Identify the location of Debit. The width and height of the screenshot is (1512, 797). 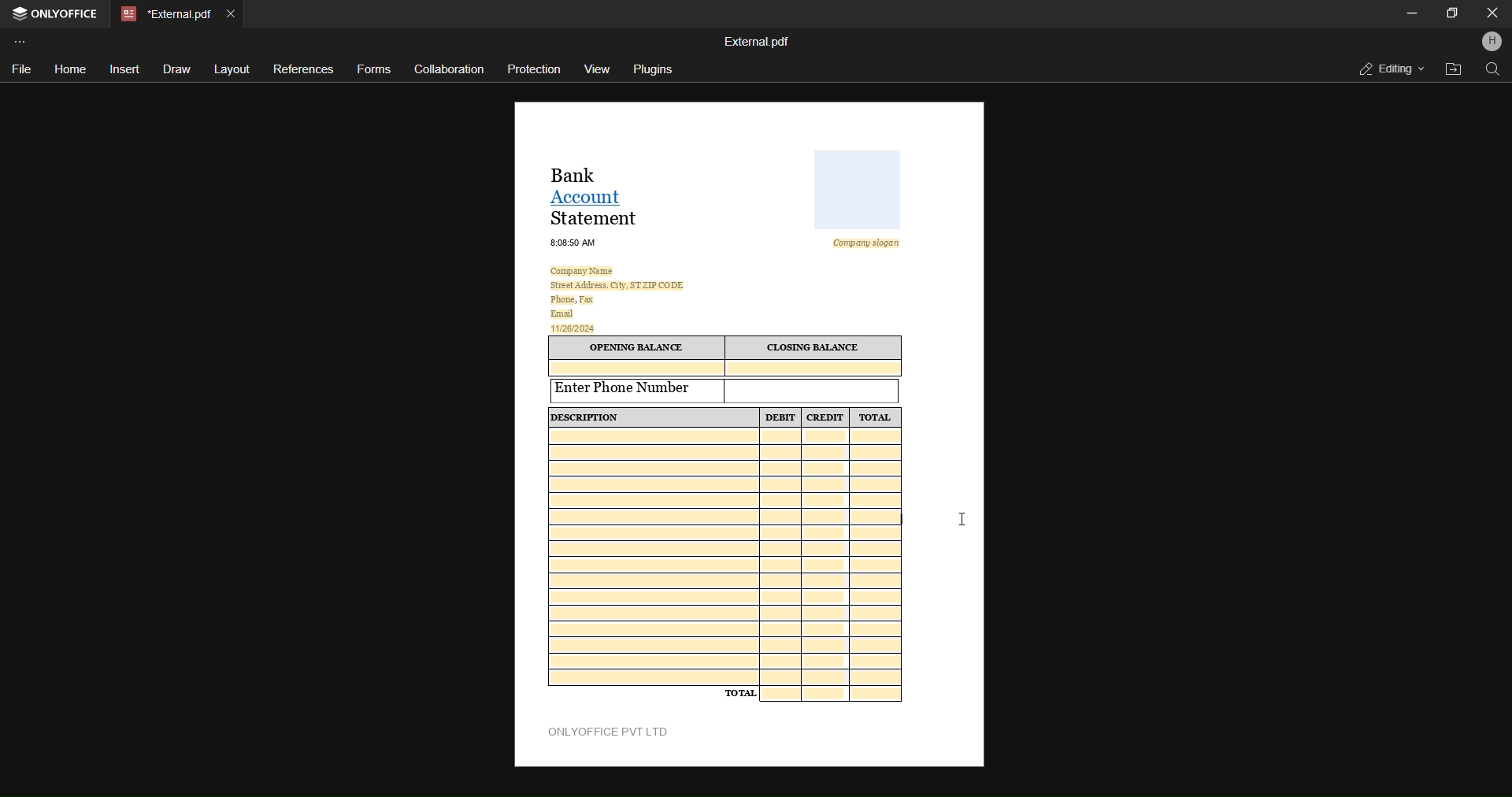
(781, 418).